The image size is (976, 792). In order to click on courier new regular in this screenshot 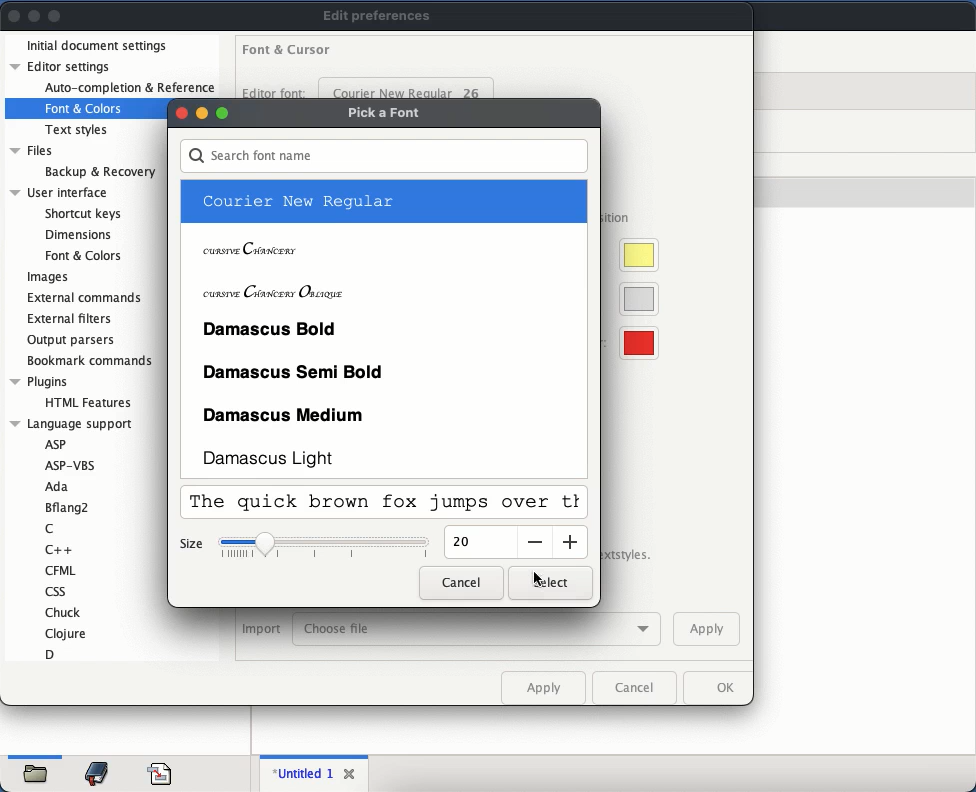, I will do `click(407, 88)`.